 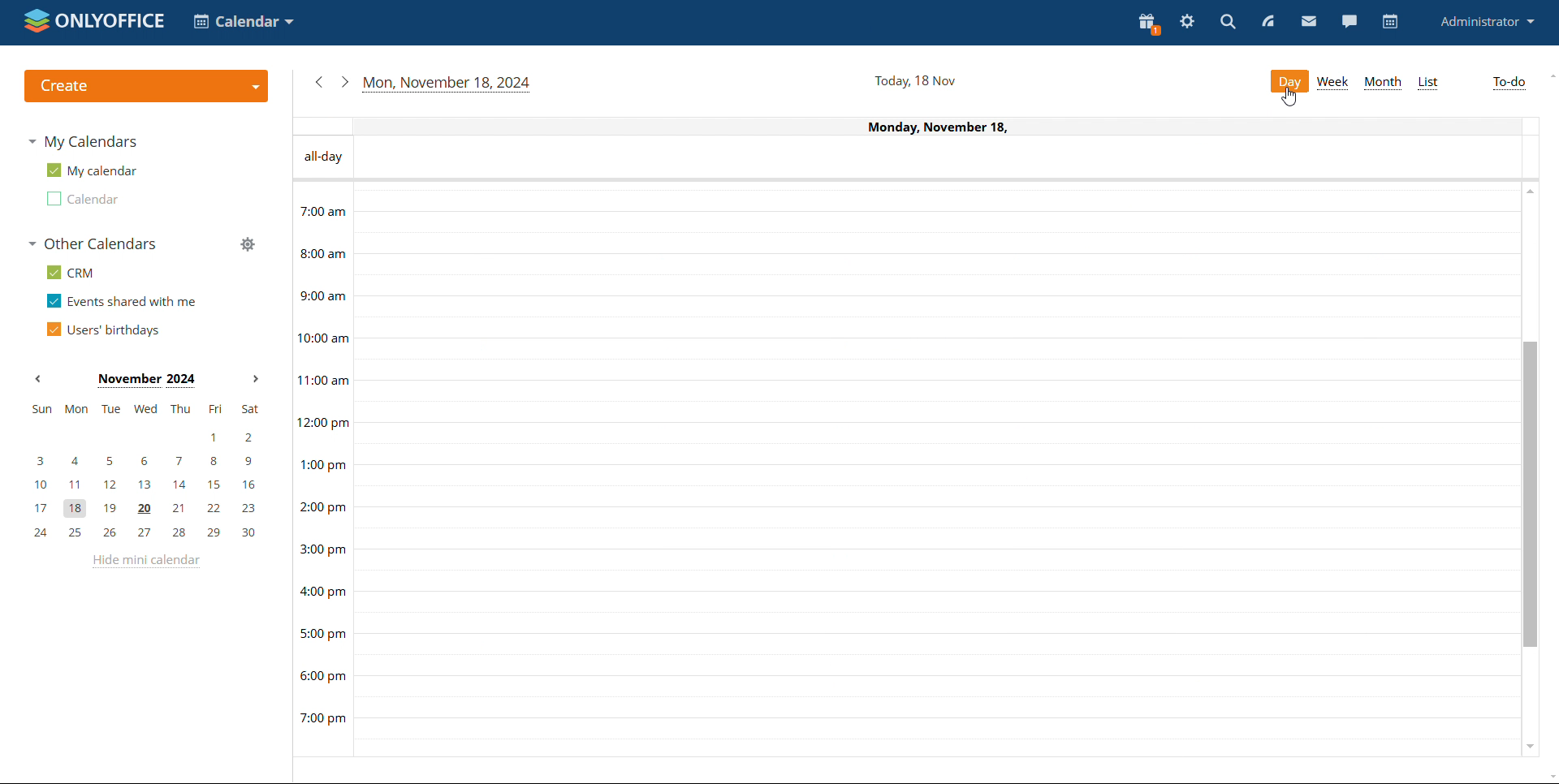 I want to click on previous month, so click(x=38, y=378).